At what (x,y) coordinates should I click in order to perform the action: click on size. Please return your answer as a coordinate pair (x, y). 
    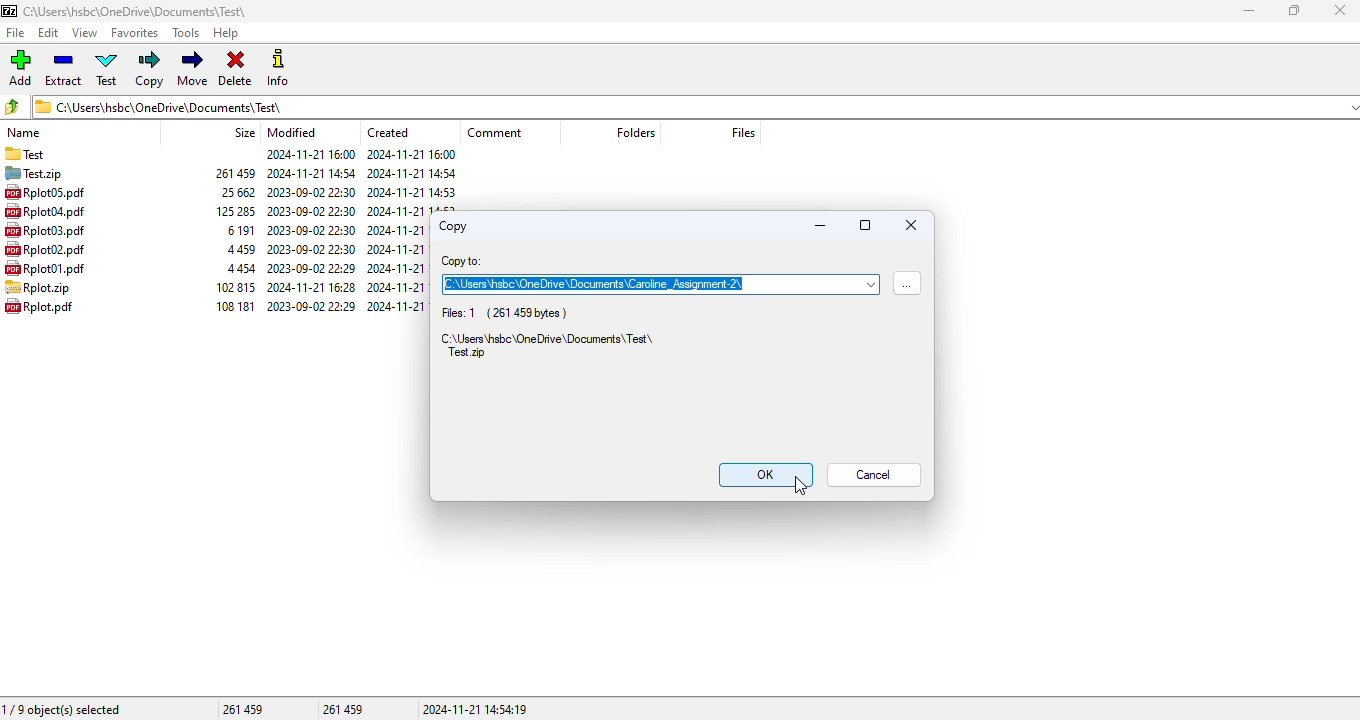
    Looking at the image, I should click on (236, 287).